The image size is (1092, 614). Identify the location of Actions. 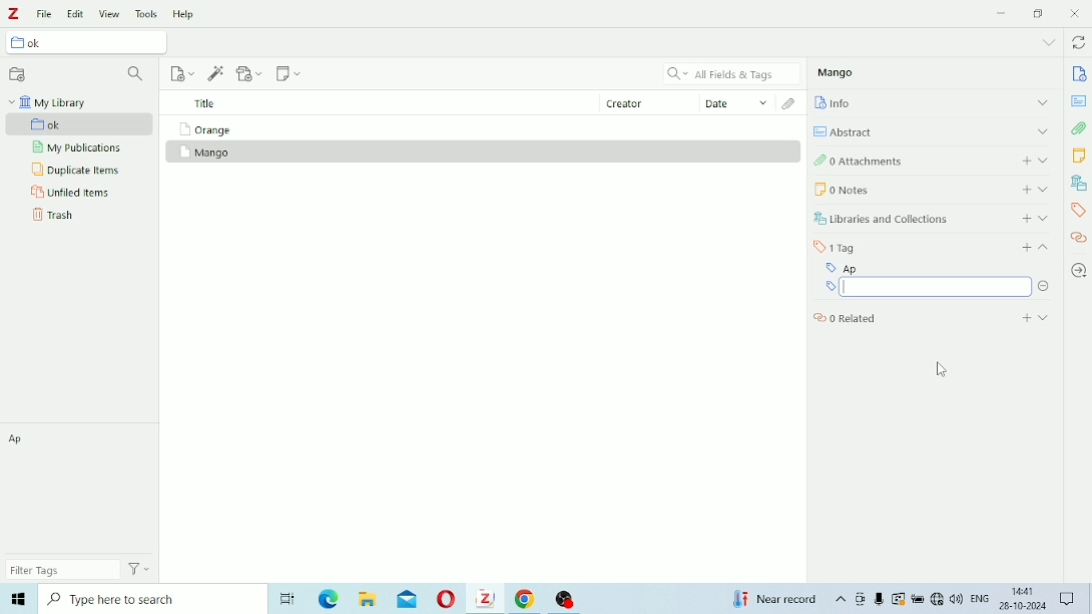
(138, 569).